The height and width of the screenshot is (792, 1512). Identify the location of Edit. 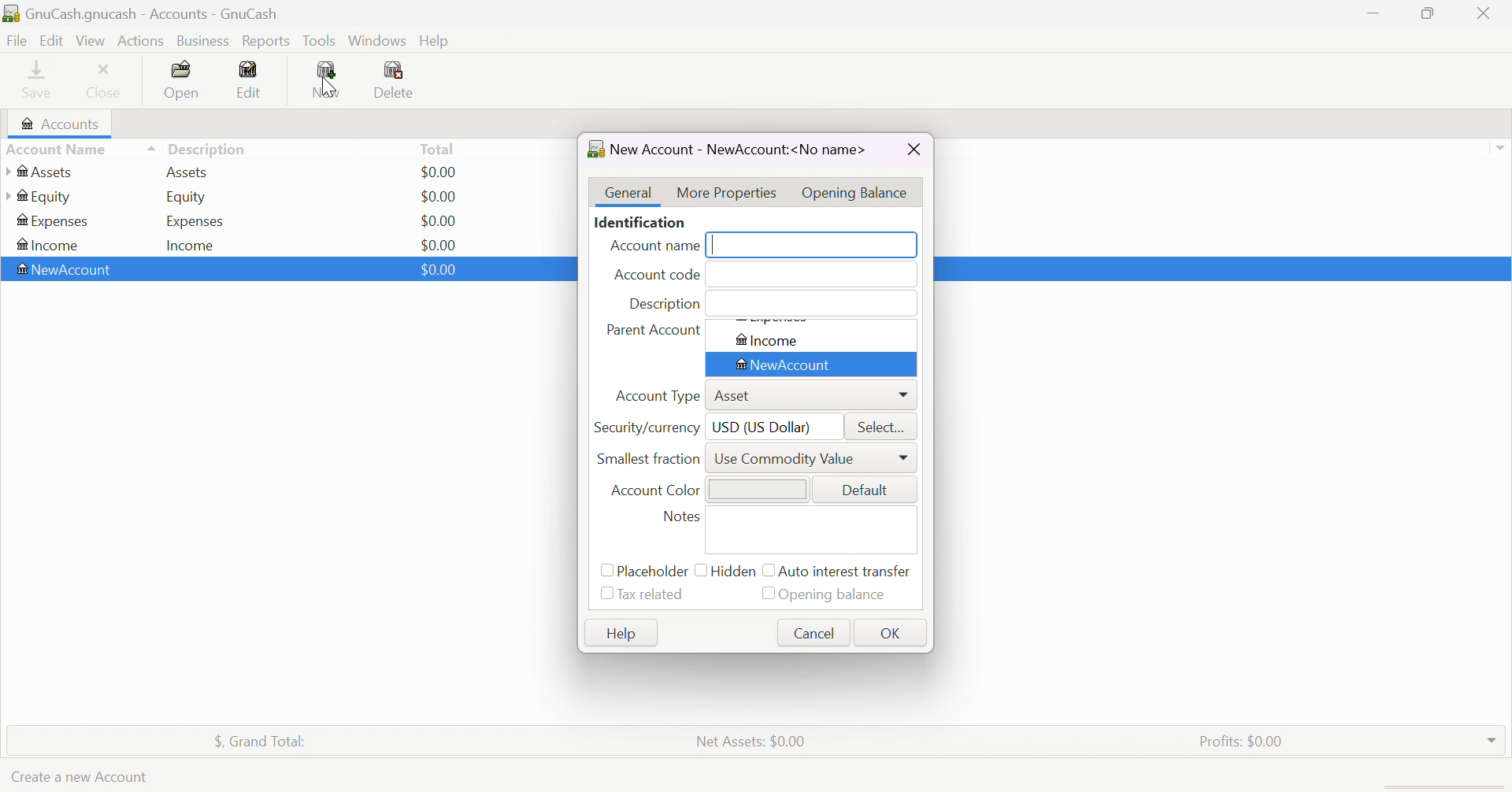
(249, 80).